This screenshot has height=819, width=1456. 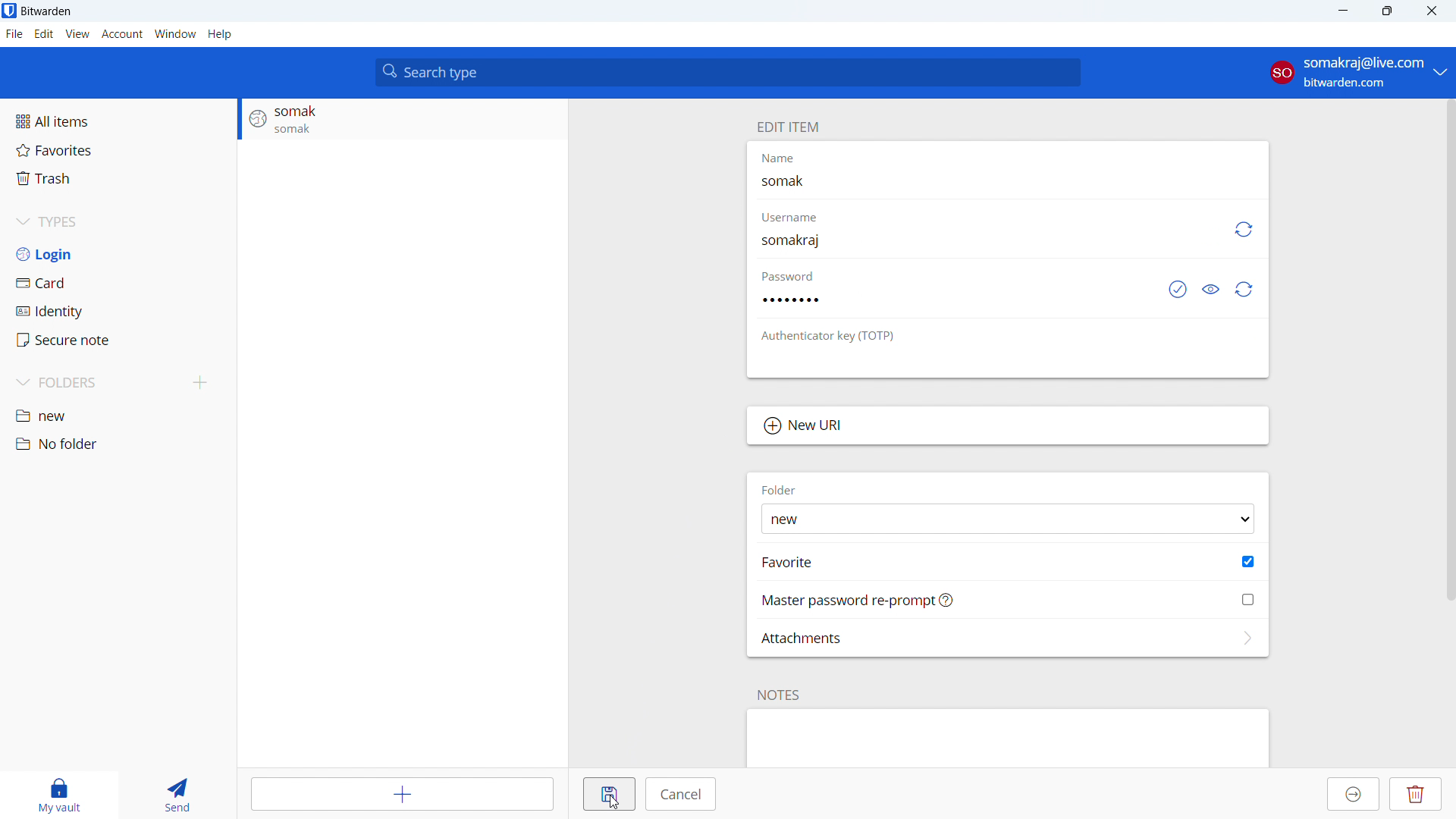 I want to click on password, so click(x=797, y=277).